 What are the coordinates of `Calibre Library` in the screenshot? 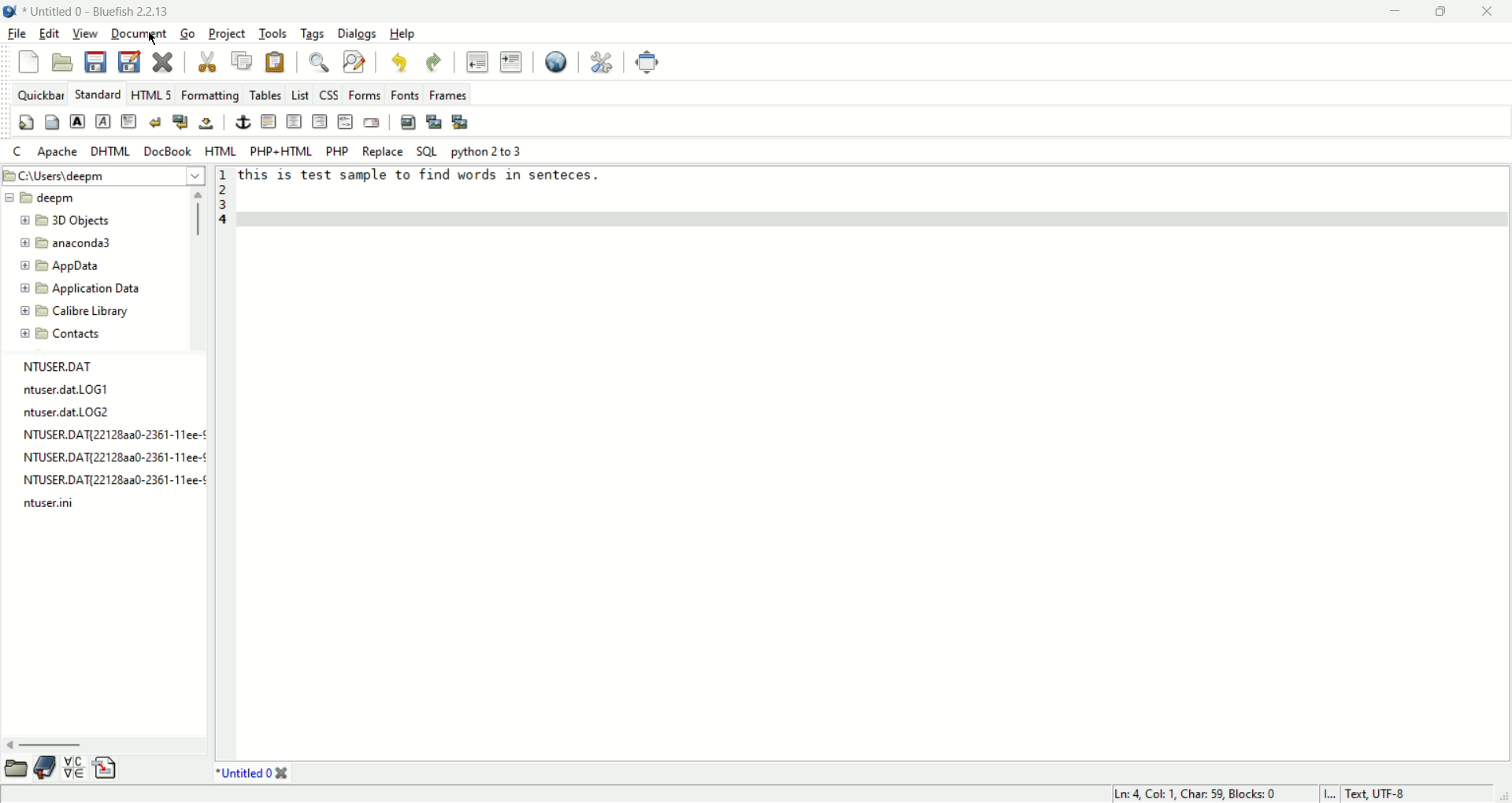 It's located at (94, 312).